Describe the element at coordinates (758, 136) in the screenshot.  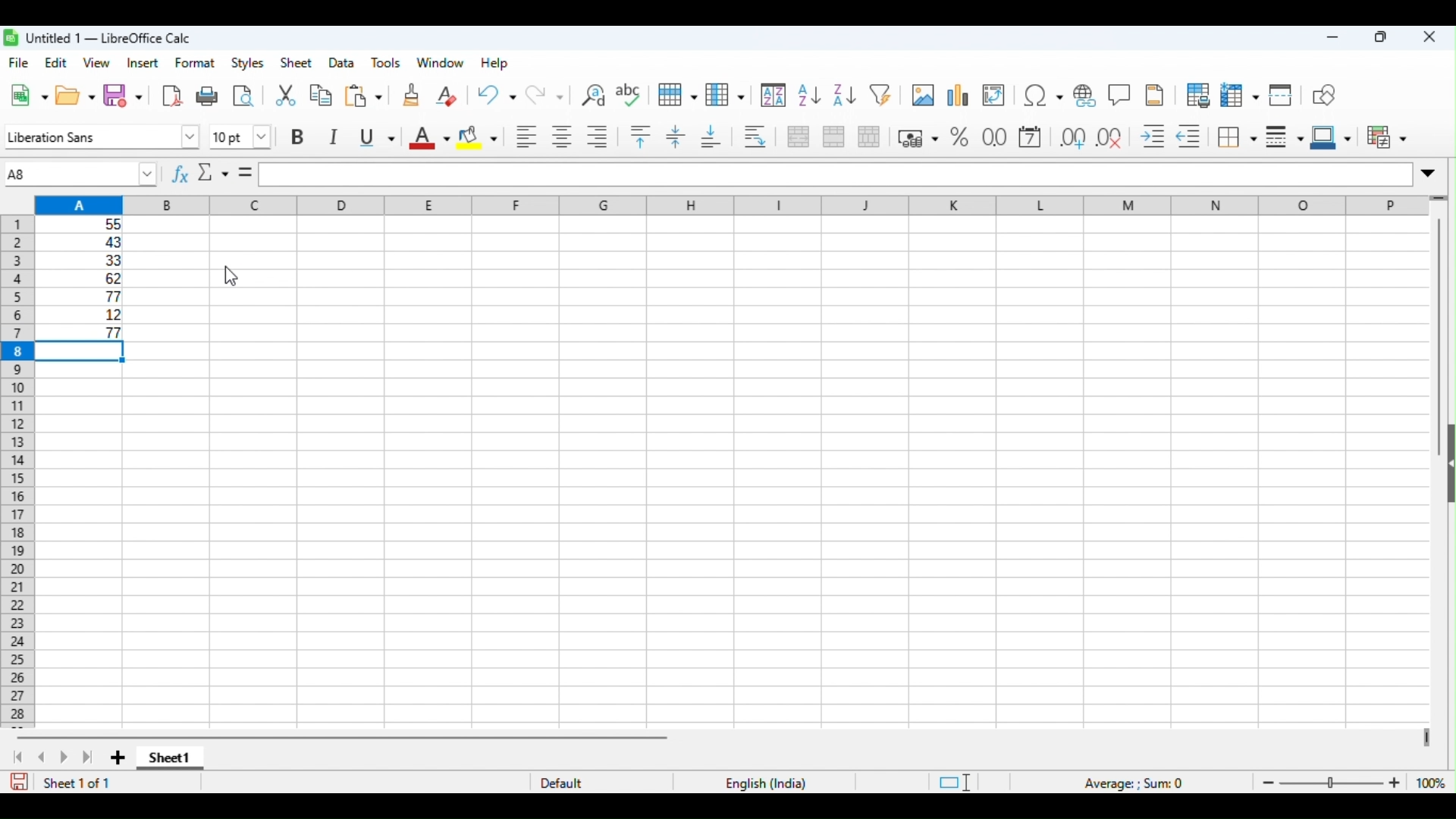
I see `wrap text` at that location.